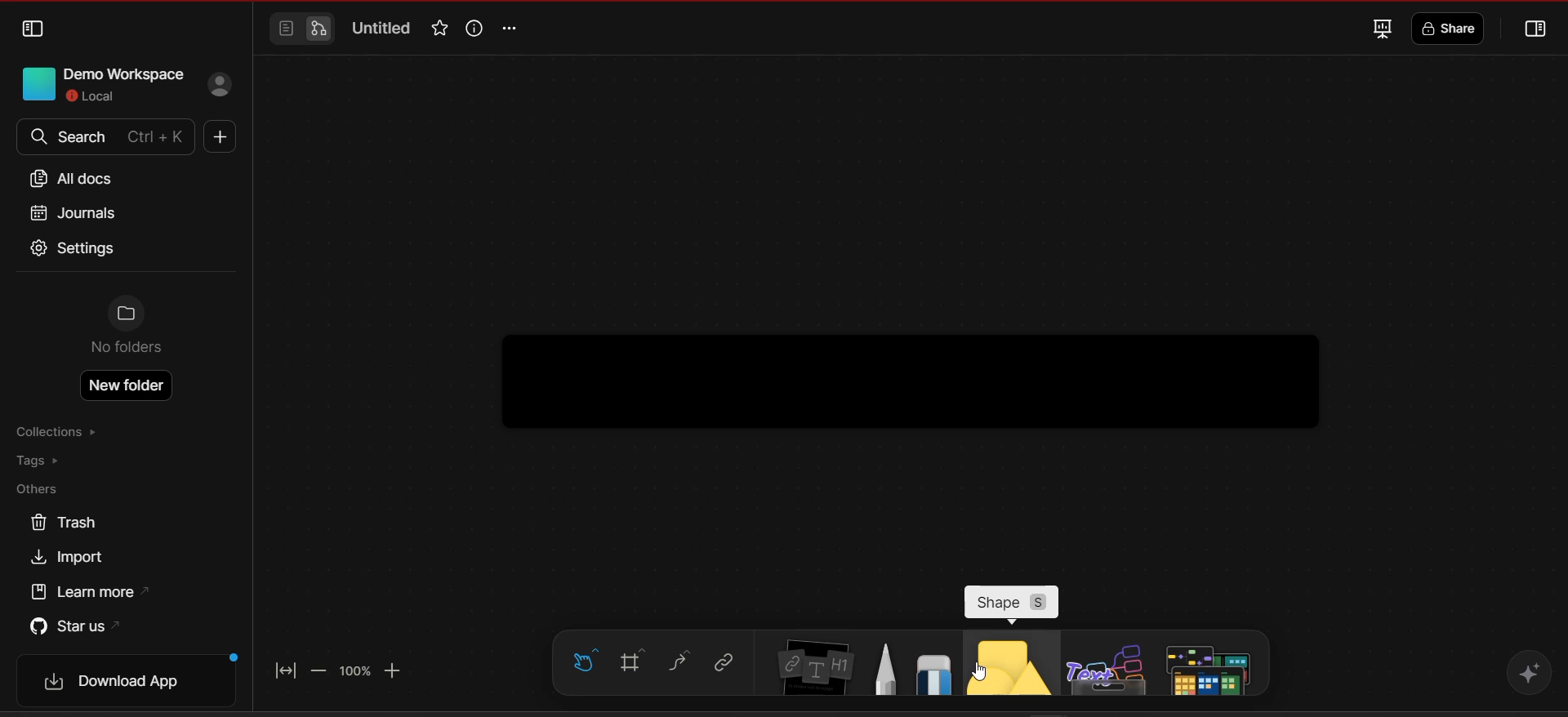 Image resolution: width=1568 pixels, height=717 pixels. What do you see at coordinates (1529, 671) in the screenshot?
I see `affine AI` at bounding box center [1529, 671].